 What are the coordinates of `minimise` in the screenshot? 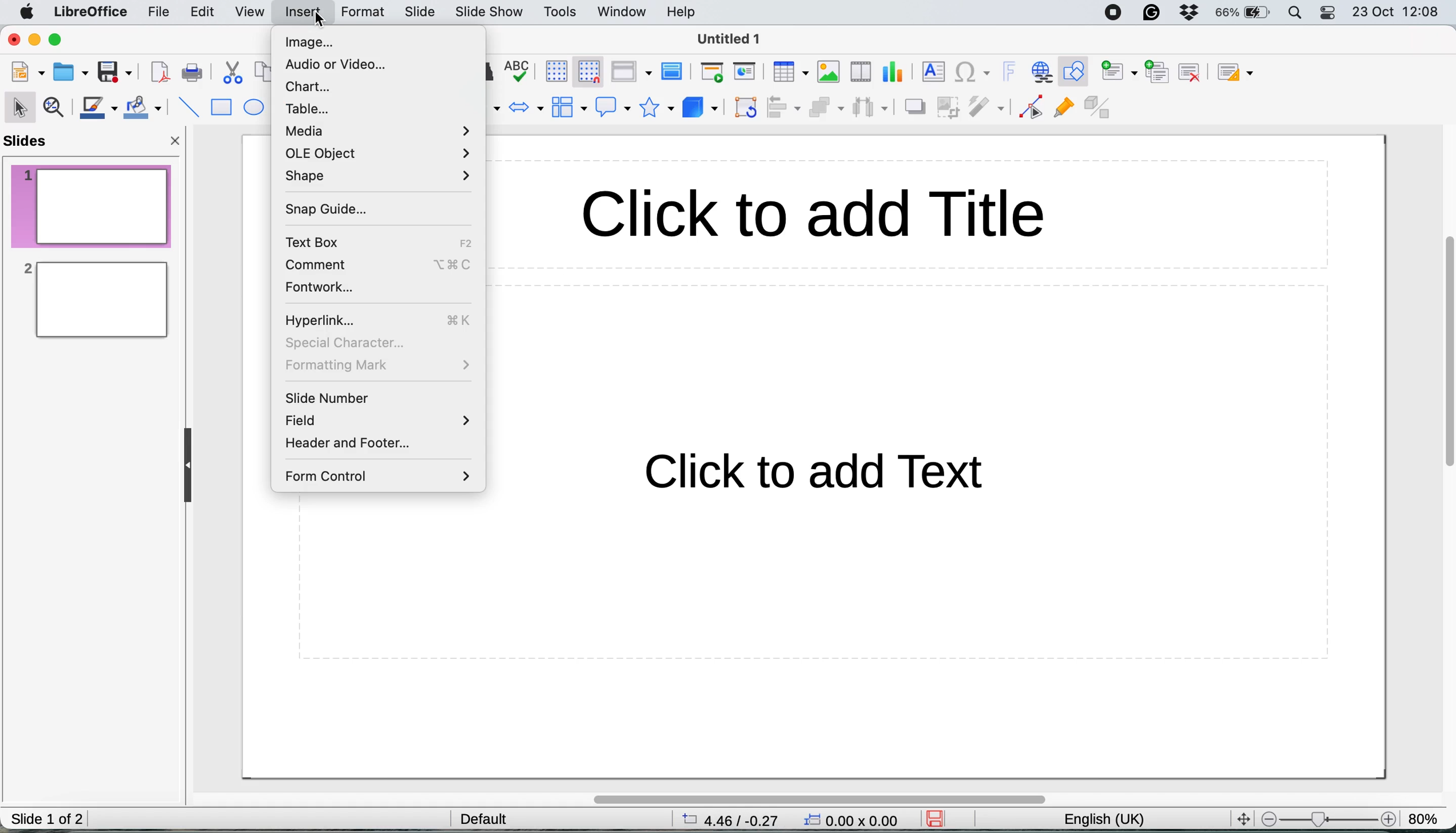 It's located at (36, 41).